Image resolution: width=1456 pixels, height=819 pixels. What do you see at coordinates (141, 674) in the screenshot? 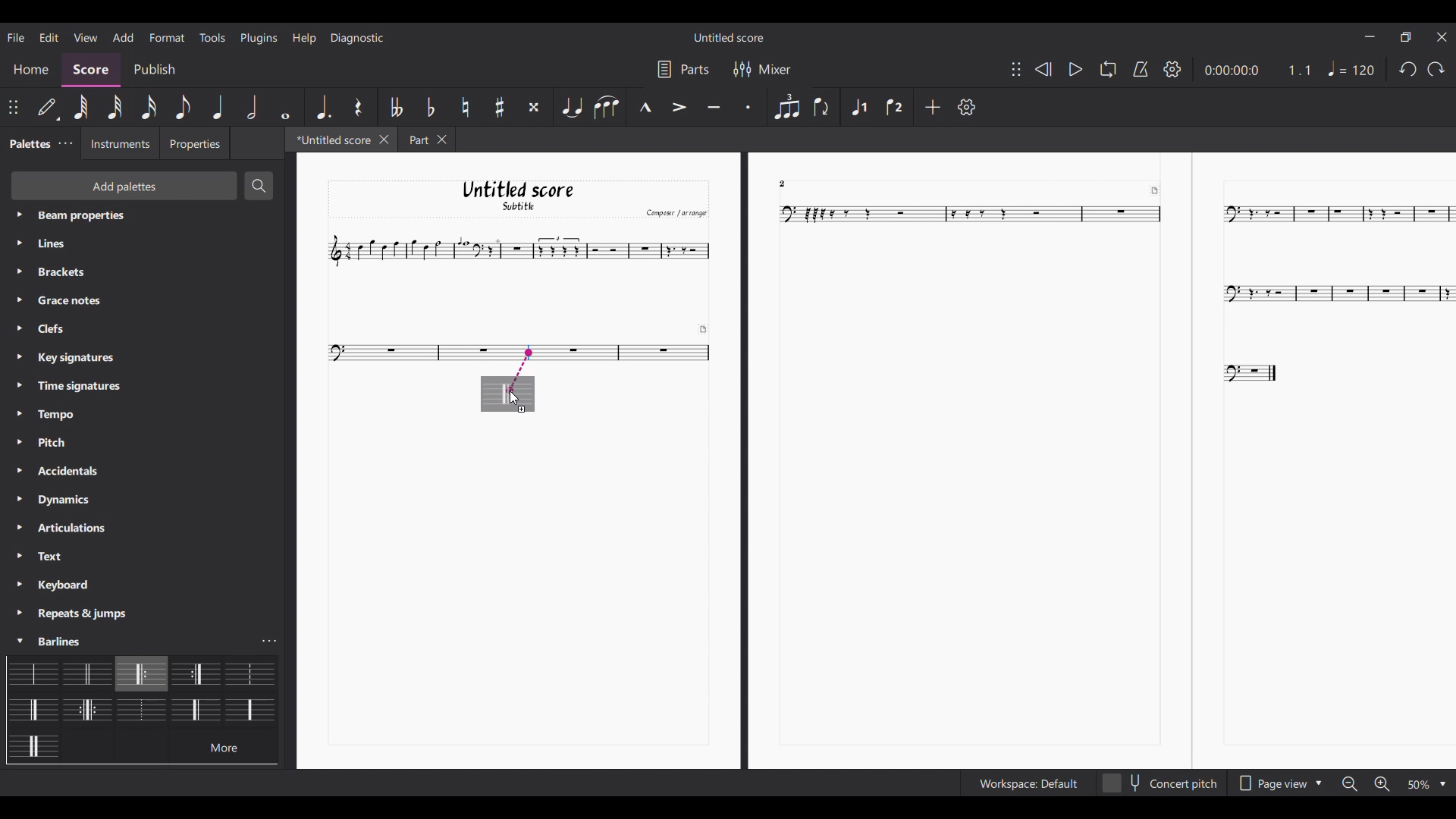
I see `Selected barline highlighted` at bounding box center [141, 674].